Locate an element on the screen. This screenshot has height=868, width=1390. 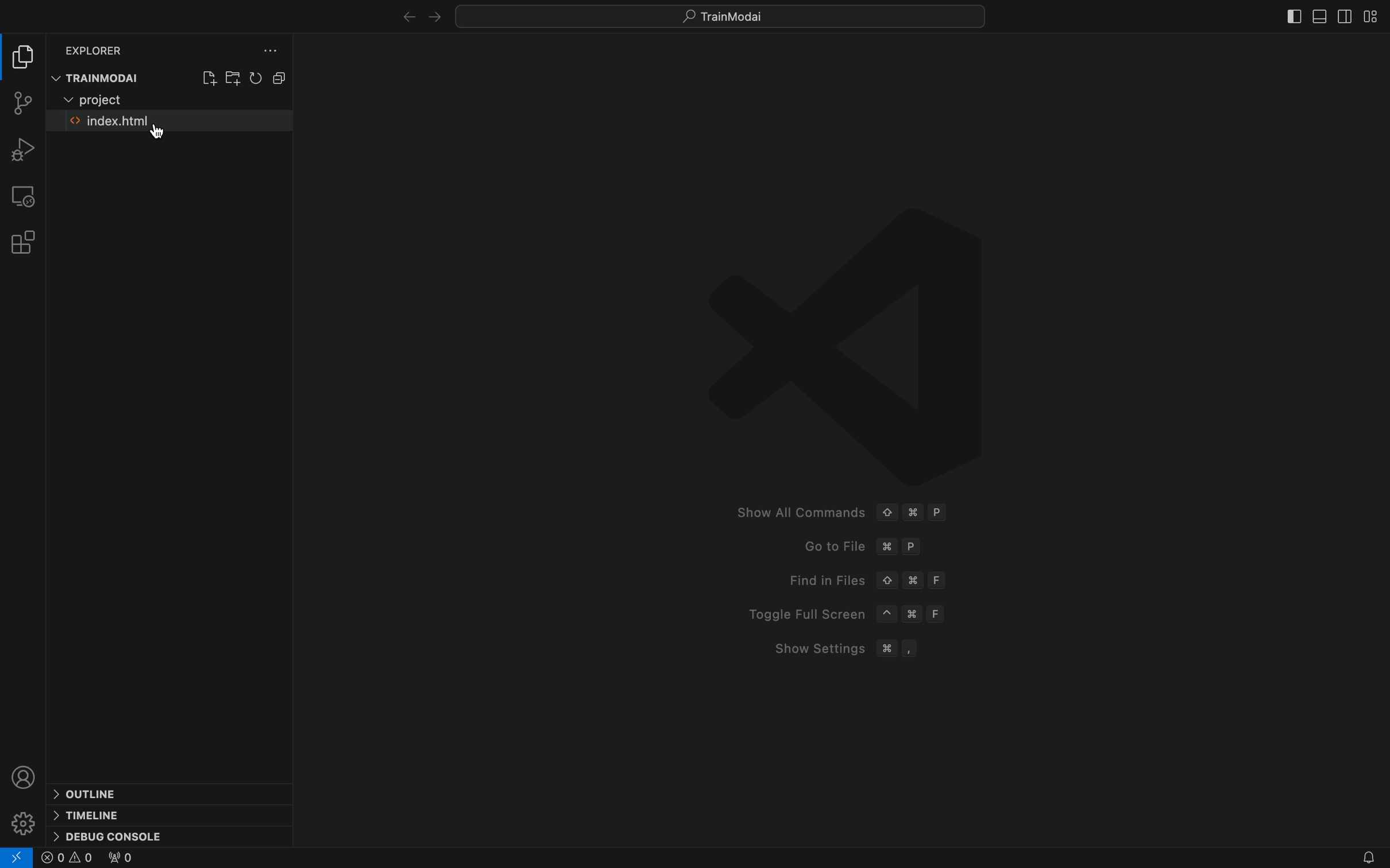
profile is located at coordinates (25, 776).